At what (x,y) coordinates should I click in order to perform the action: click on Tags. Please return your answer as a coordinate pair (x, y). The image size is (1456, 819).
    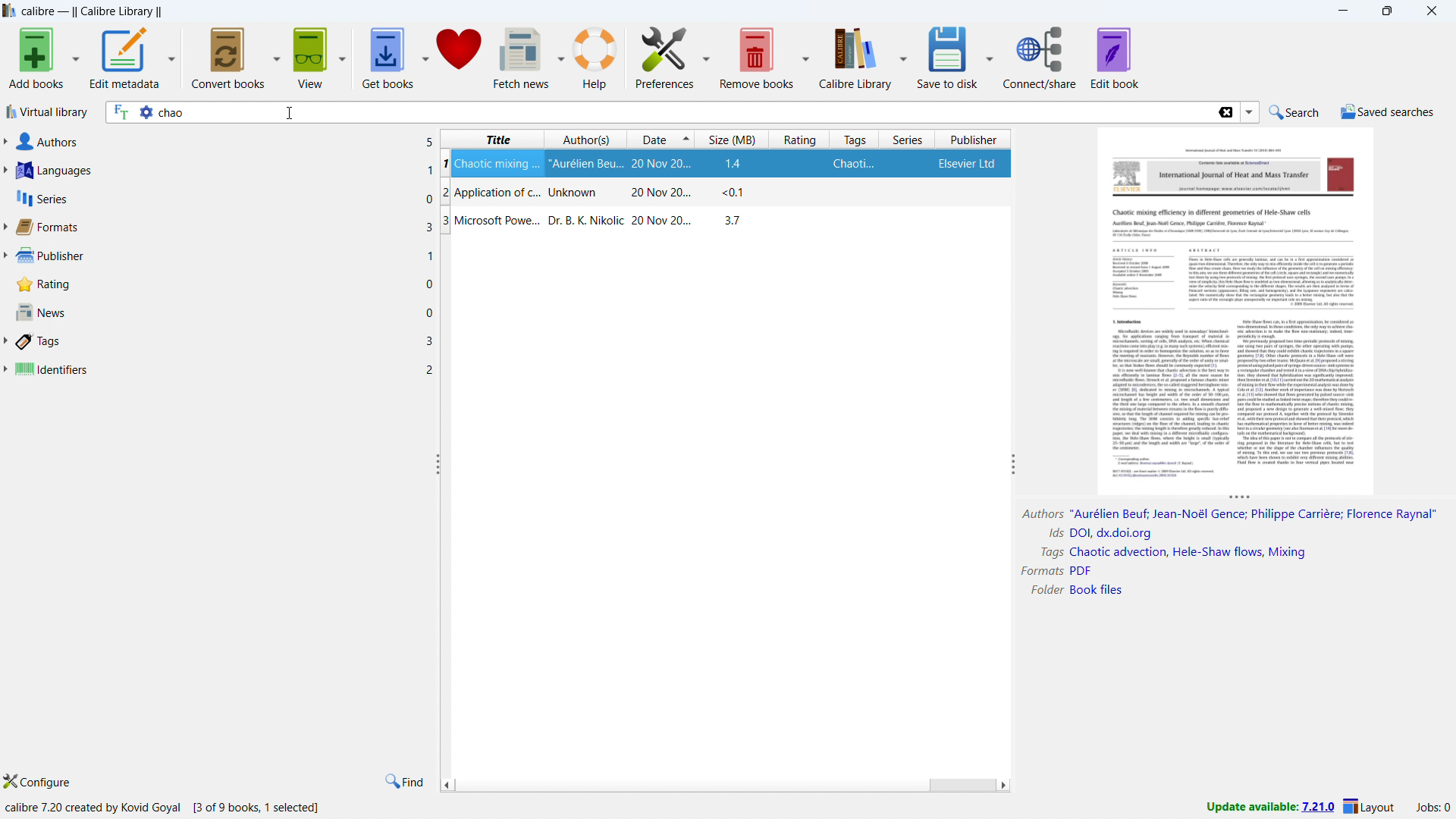
    Looking at the image, I should click on (1040, 554).